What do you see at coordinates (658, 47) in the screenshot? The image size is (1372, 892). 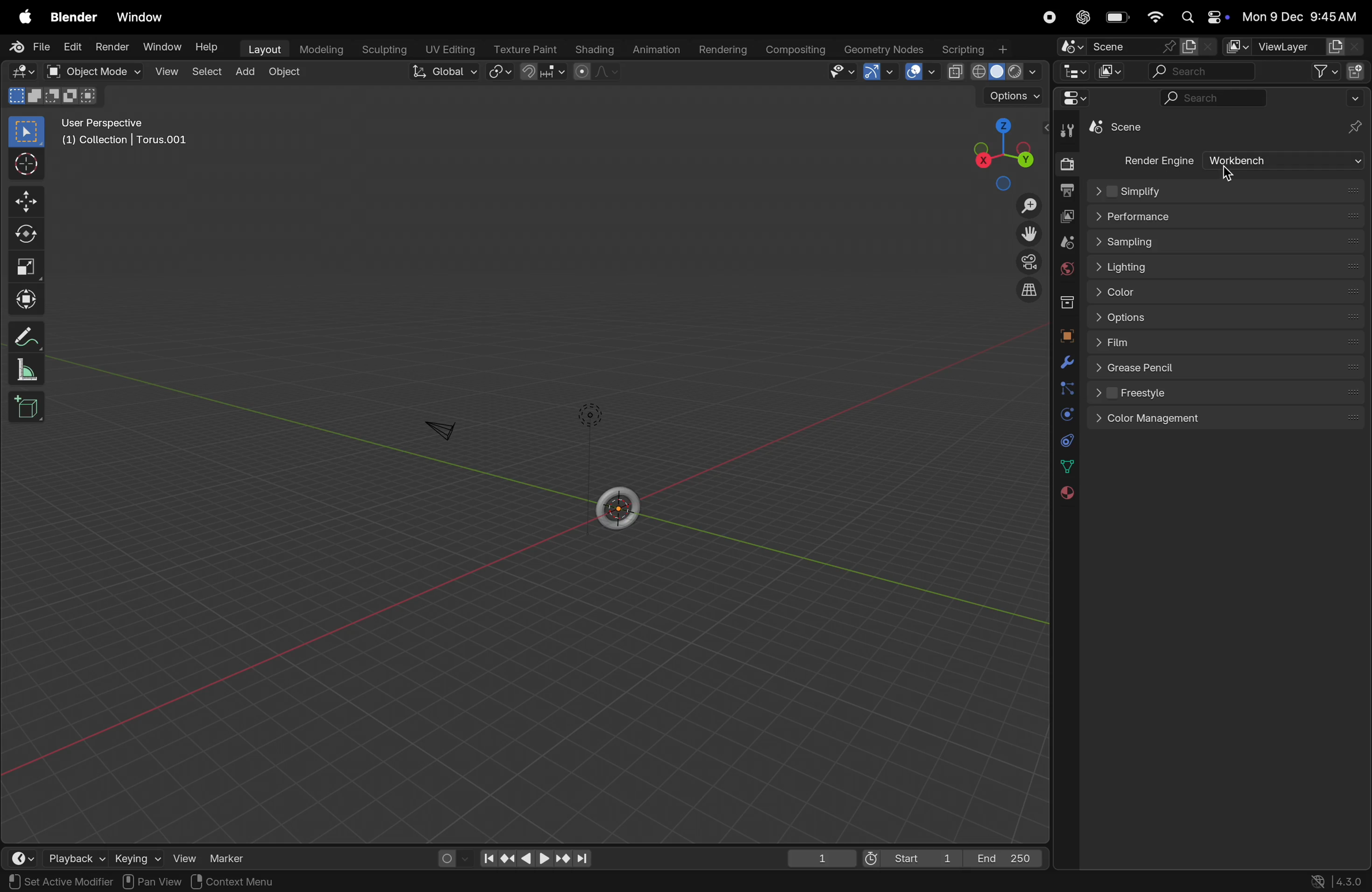 I see `animations` at bounding box center [658, 47].